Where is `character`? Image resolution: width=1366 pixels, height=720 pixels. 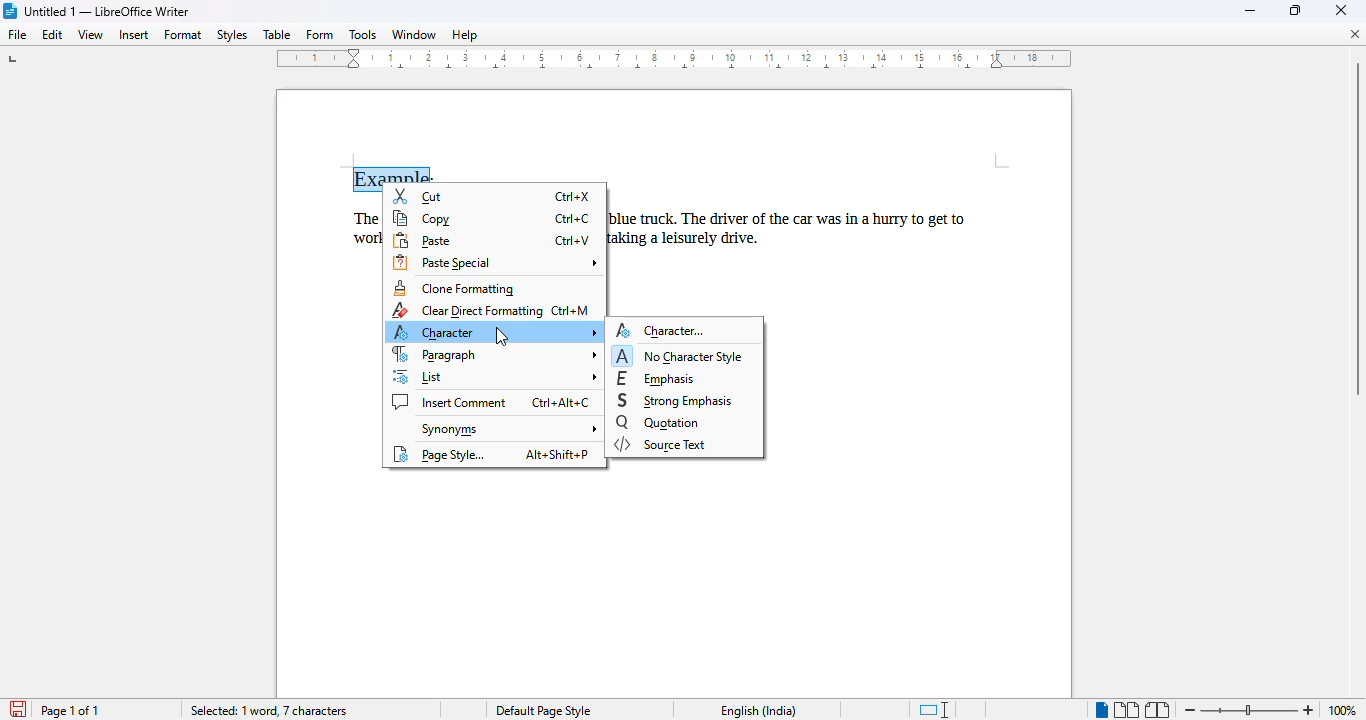 character is located at coordinates (664, 330).